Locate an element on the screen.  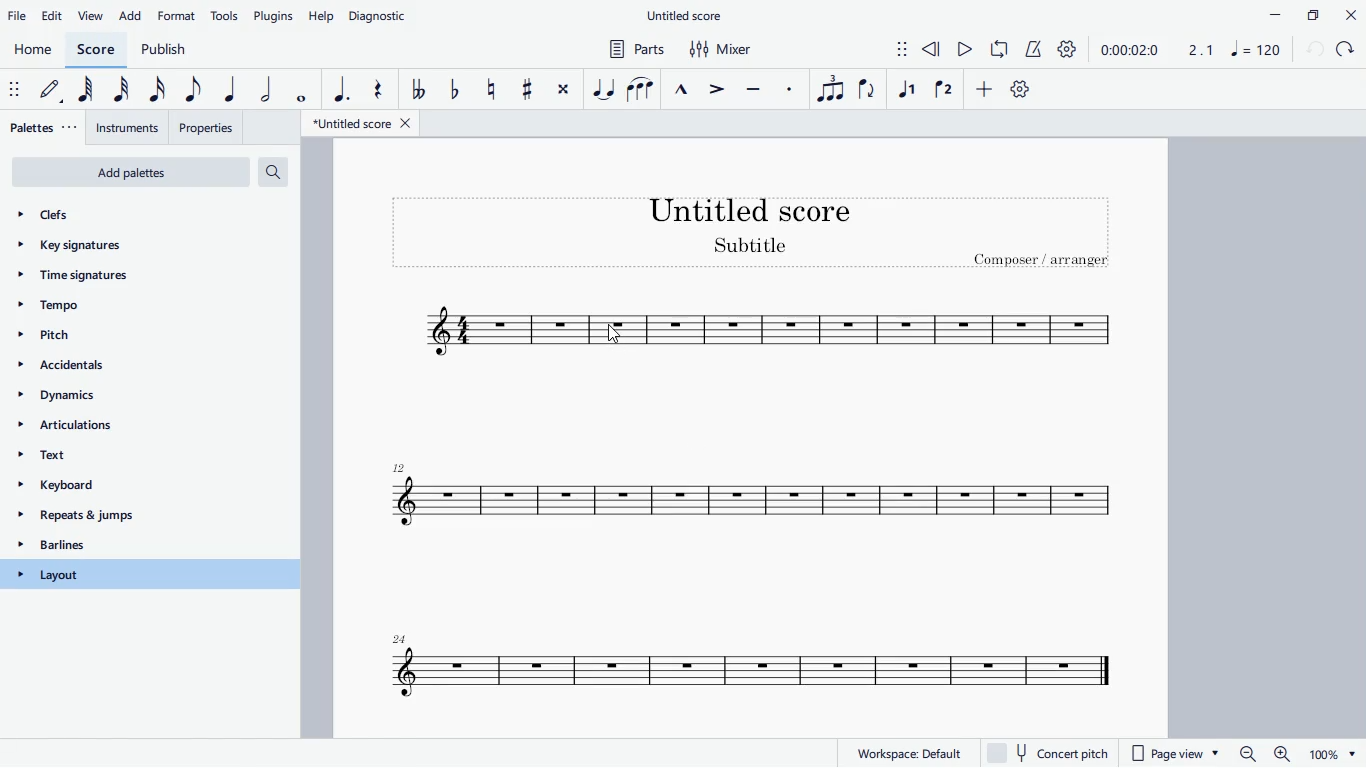
edit is located at coordinates (55, 15).